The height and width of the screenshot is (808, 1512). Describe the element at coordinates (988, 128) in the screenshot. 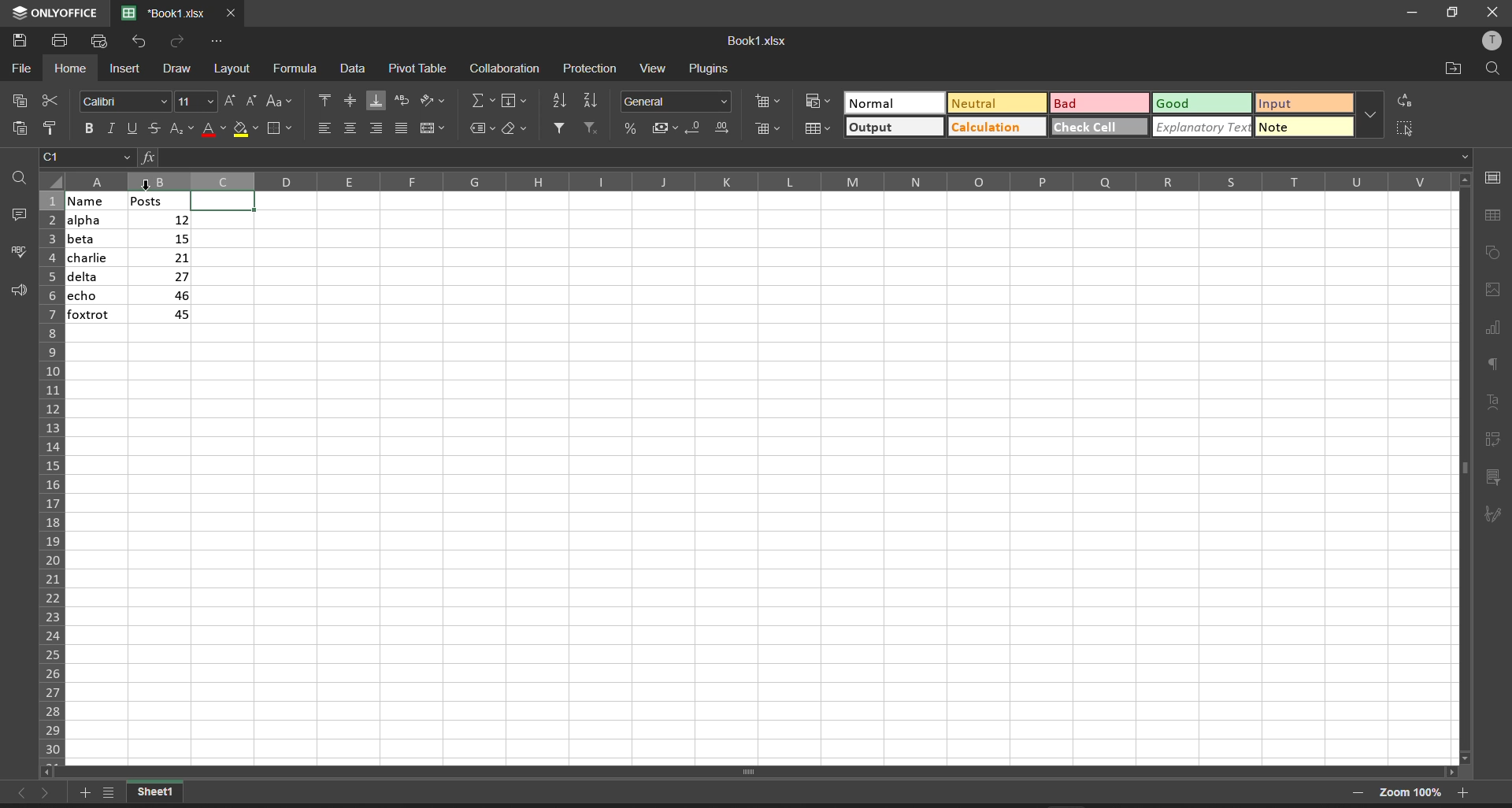

I see `Calculation` at that location.